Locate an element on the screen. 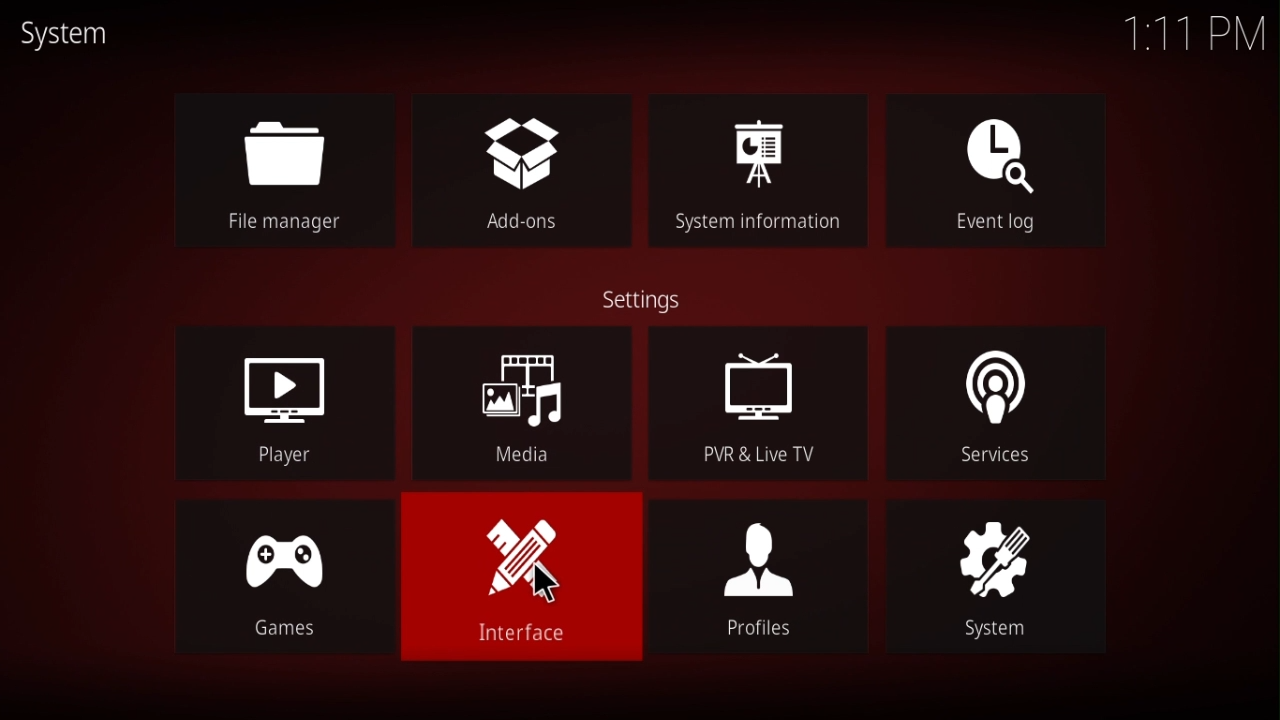  games is located at coordinates (266, 578).